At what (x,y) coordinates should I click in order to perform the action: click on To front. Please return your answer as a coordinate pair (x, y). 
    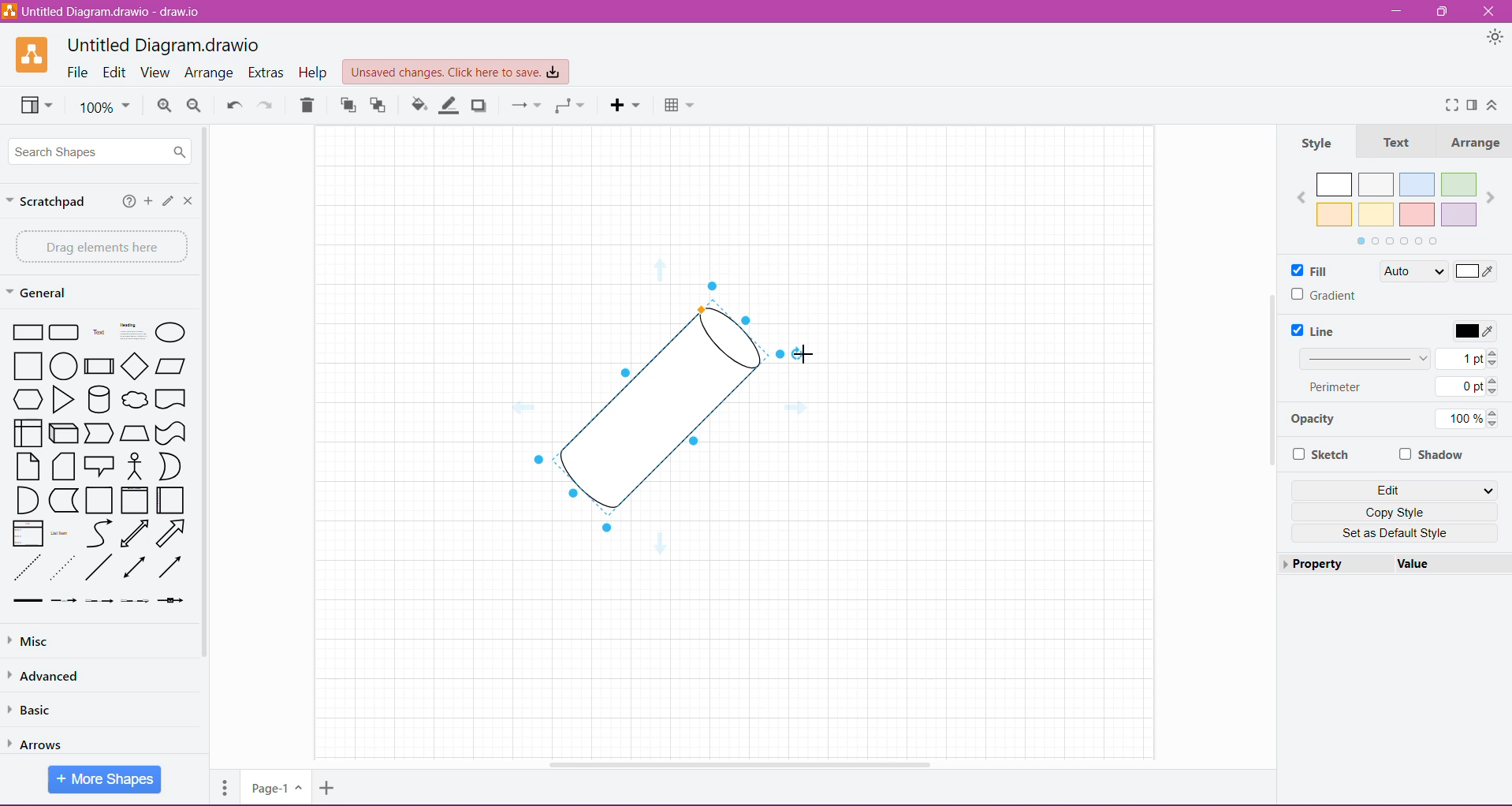
    Looking at the image, I should click on (347, 107).